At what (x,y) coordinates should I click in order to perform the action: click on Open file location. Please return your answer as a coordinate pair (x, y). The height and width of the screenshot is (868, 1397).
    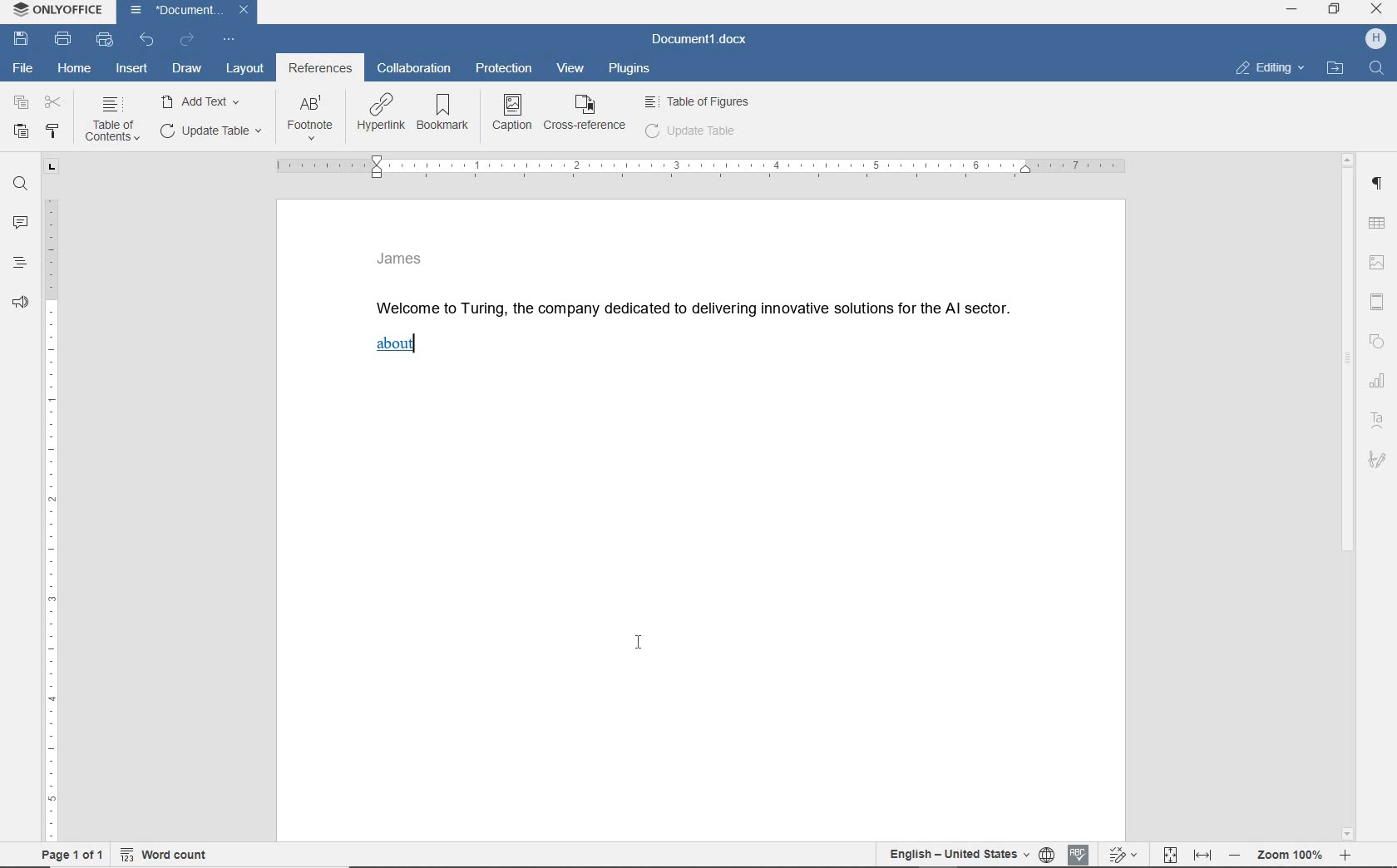
    Looking at the image, I should click on (1340, 65).